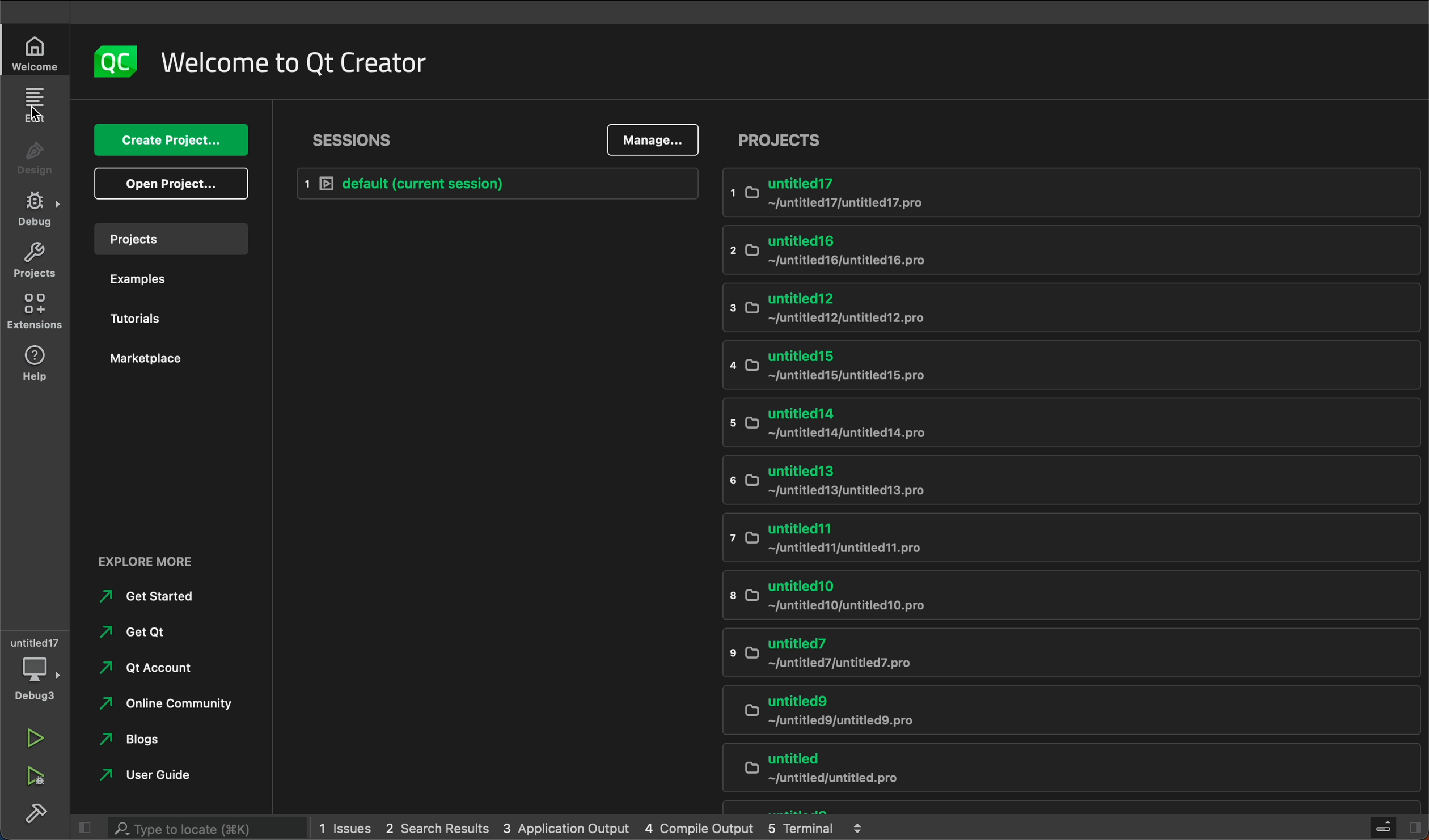  I want to click on run and debug, so click(41, 777).